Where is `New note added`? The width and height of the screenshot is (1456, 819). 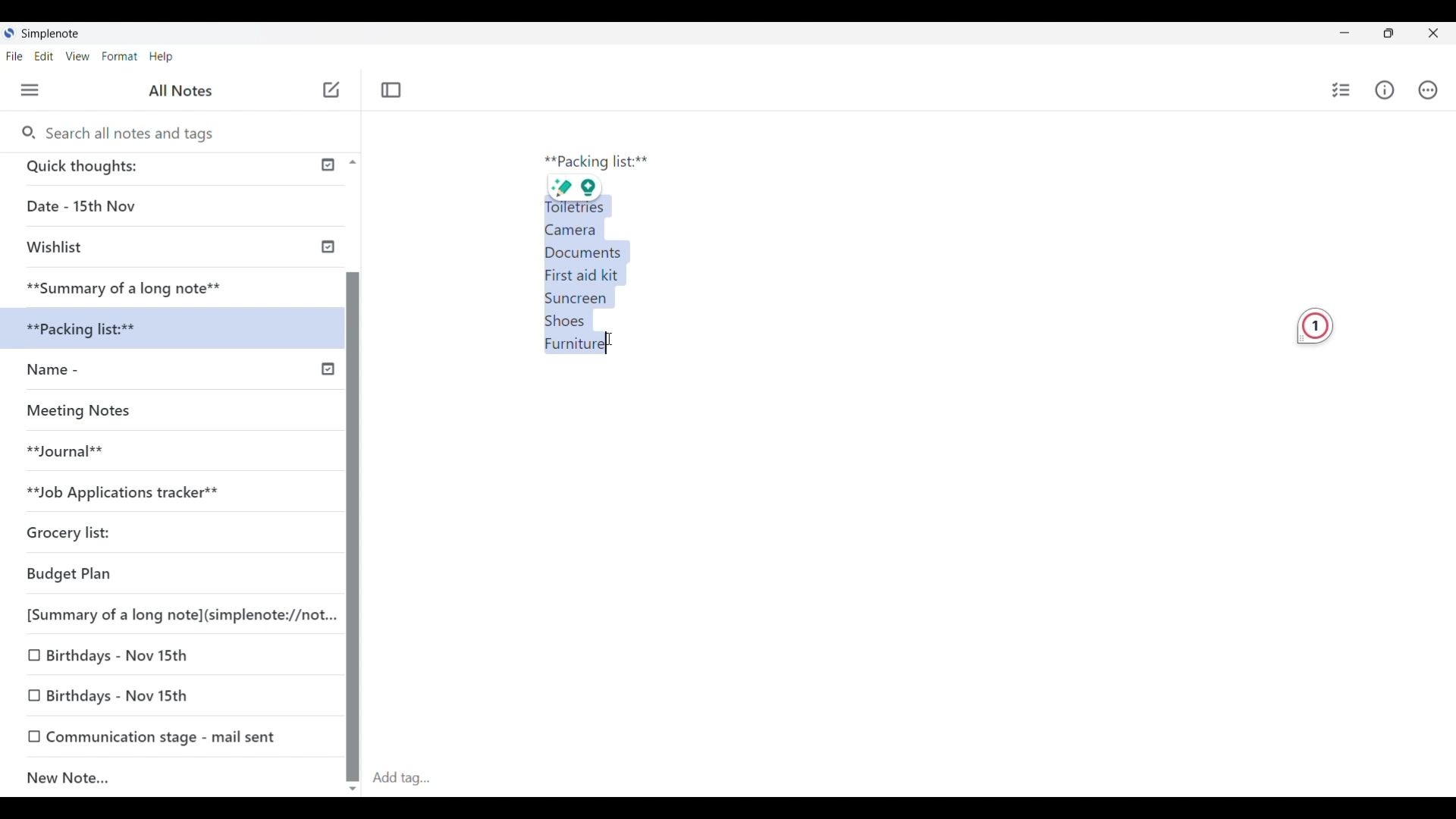
New note added is located at coordinates (158, 778).